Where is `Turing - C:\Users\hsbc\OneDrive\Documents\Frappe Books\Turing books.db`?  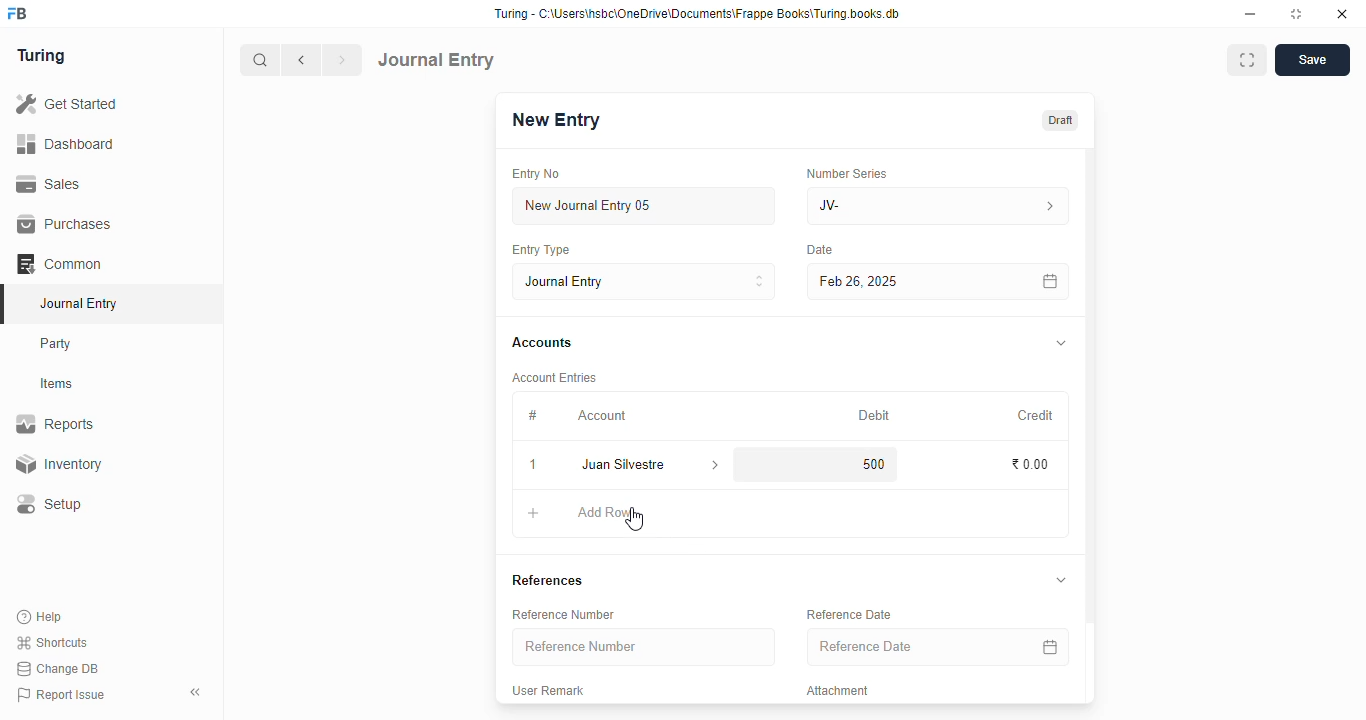 Turing - C:\Users\hsbc\OneDrive\Documents\Frappe Books\Turing books.db is located at coordinates (696, 14).